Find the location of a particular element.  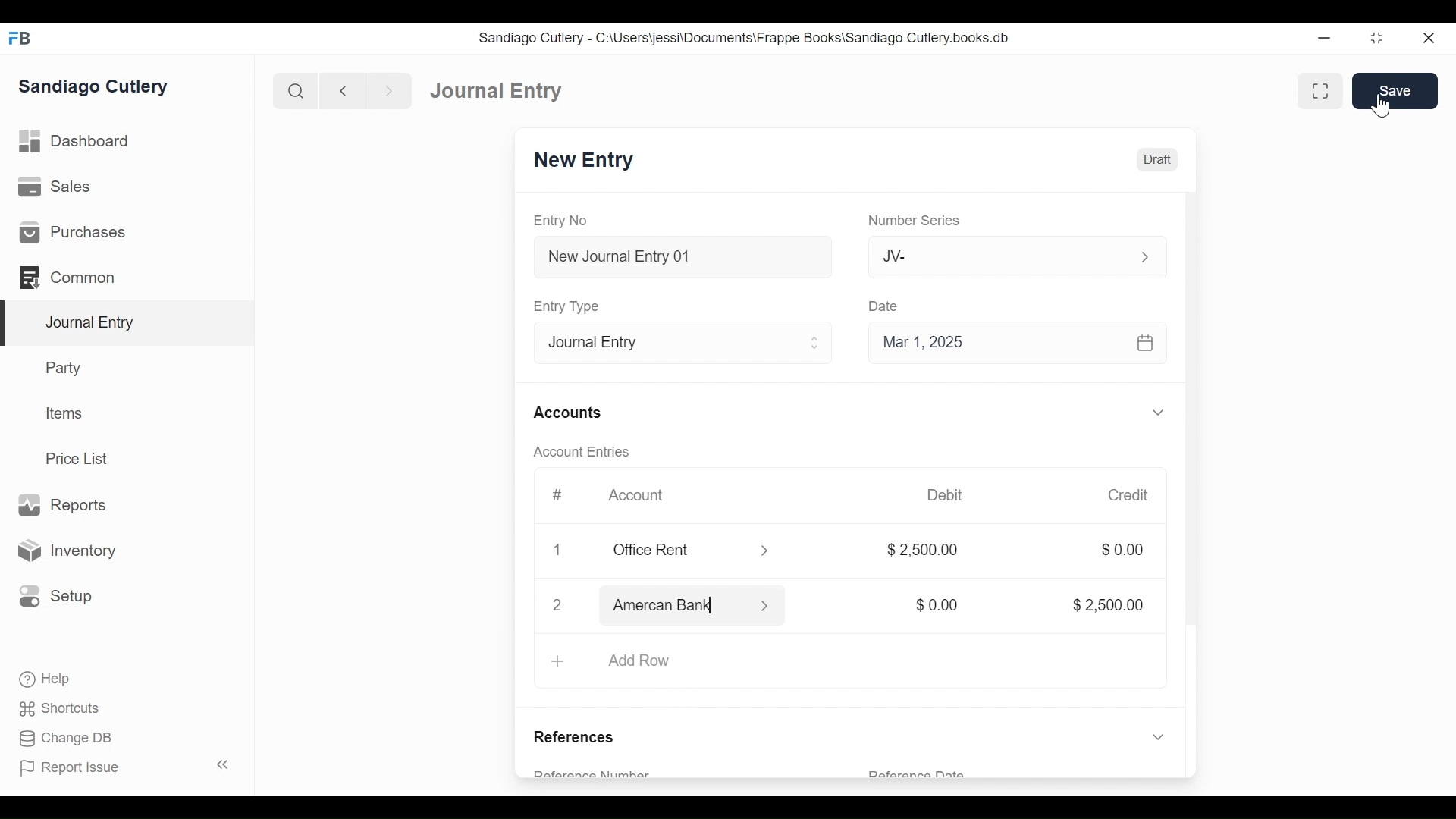

Account is located at coordinates (635, 496).